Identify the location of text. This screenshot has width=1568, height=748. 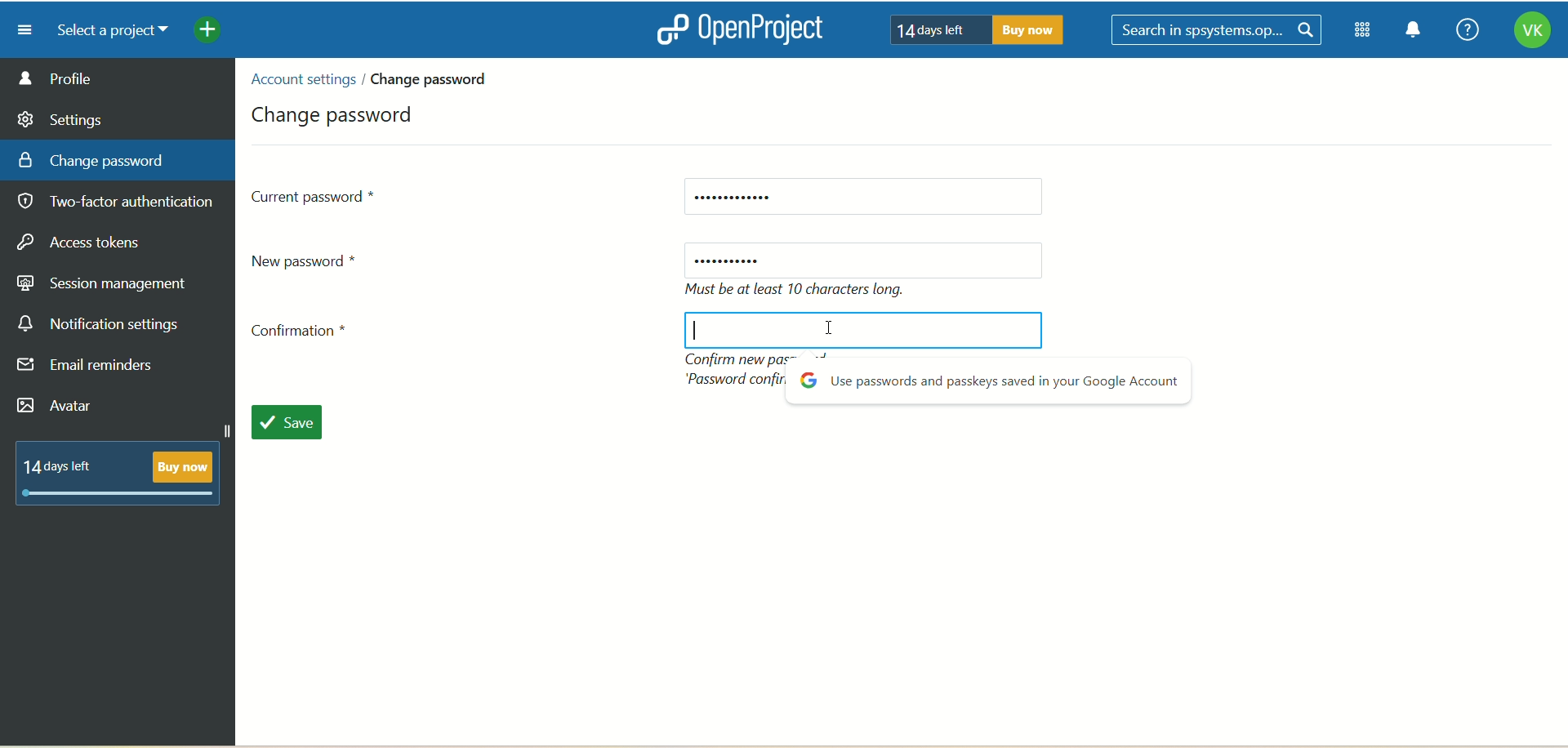
(801, 291).